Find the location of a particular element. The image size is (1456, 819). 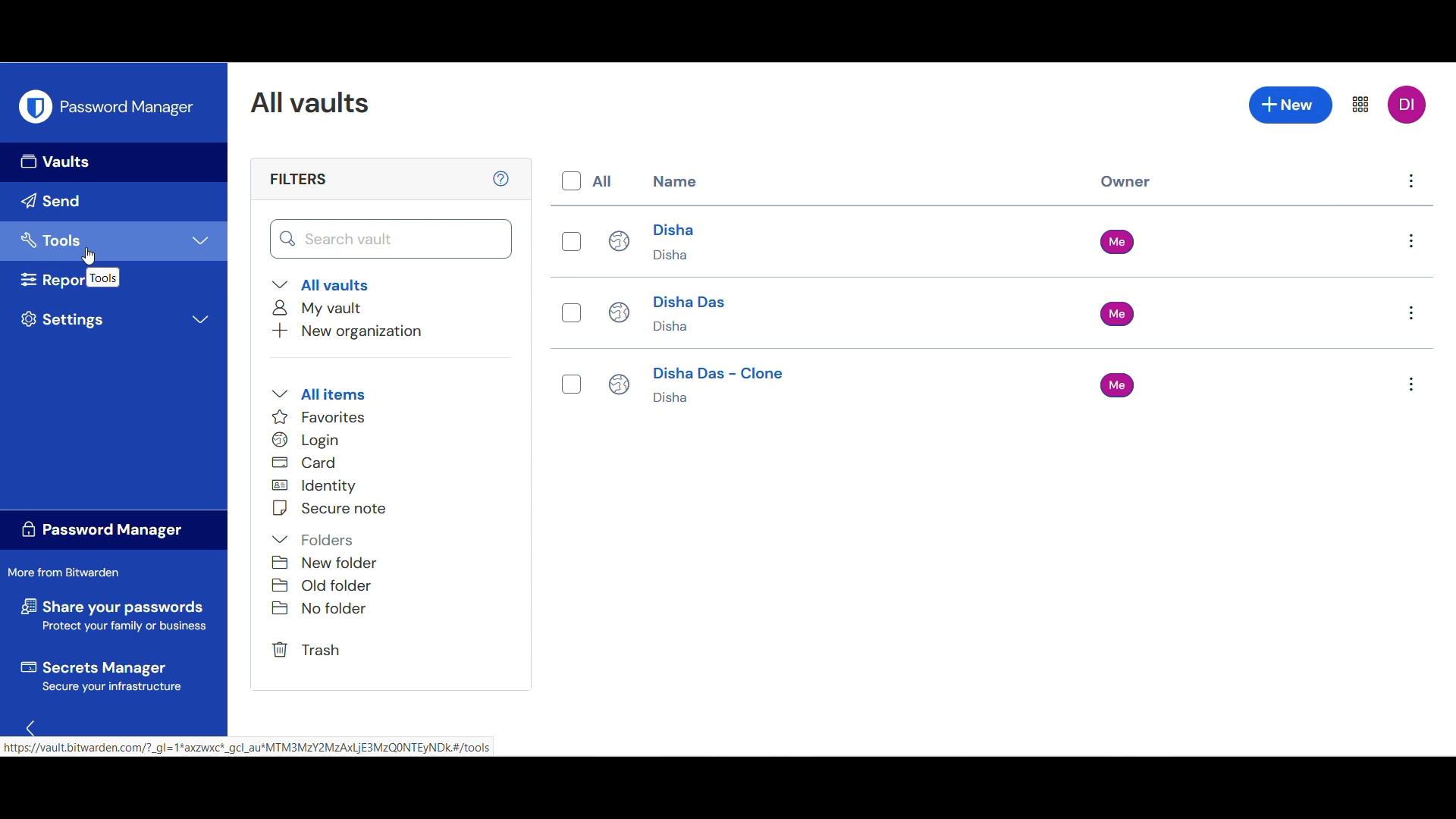

Vaults, current section highlighted is located at coordinates (115, 162).